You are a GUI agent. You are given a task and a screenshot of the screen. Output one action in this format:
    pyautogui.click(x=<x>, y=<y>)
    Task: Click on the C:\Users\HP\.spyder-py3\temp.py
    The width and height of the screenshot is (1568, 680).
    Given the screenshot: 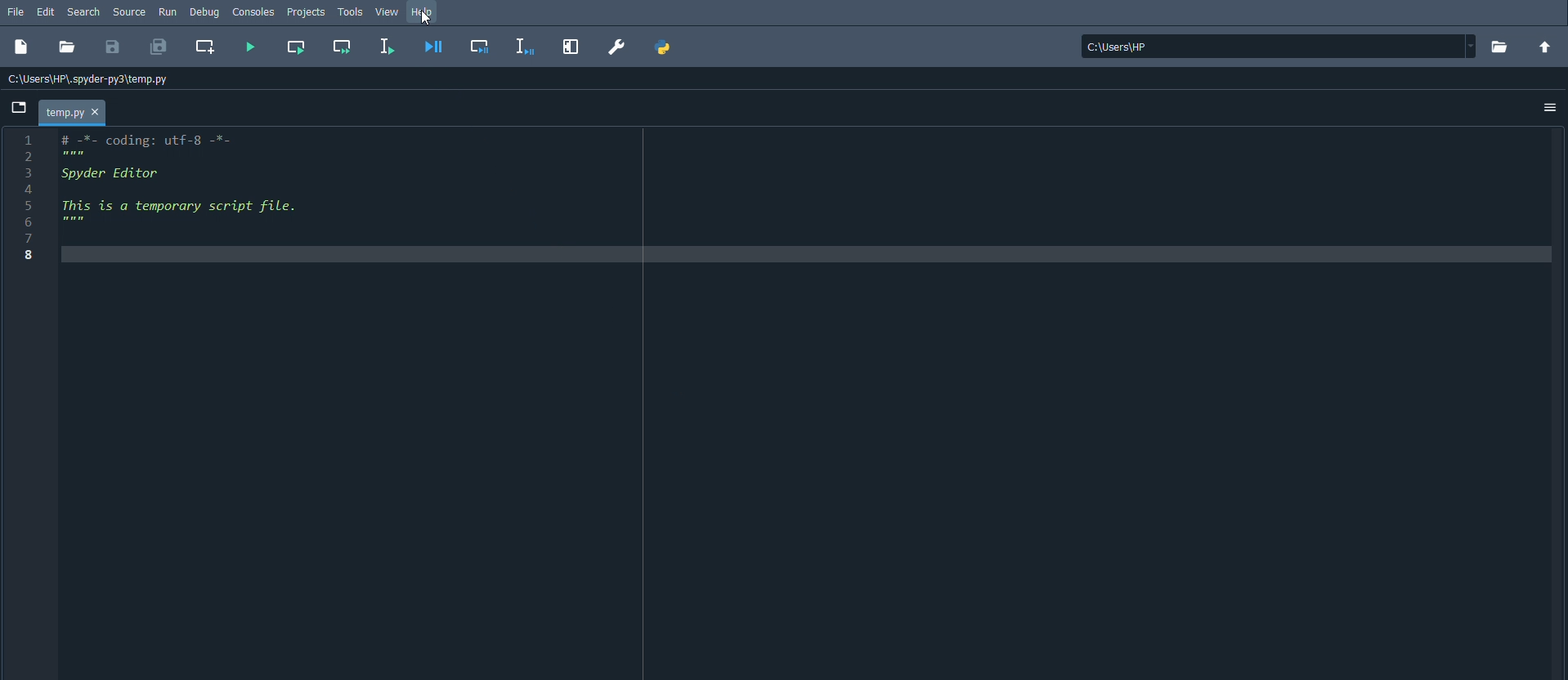 What is the action you would take?
    pyautogui.click(x=87, y=78)
    